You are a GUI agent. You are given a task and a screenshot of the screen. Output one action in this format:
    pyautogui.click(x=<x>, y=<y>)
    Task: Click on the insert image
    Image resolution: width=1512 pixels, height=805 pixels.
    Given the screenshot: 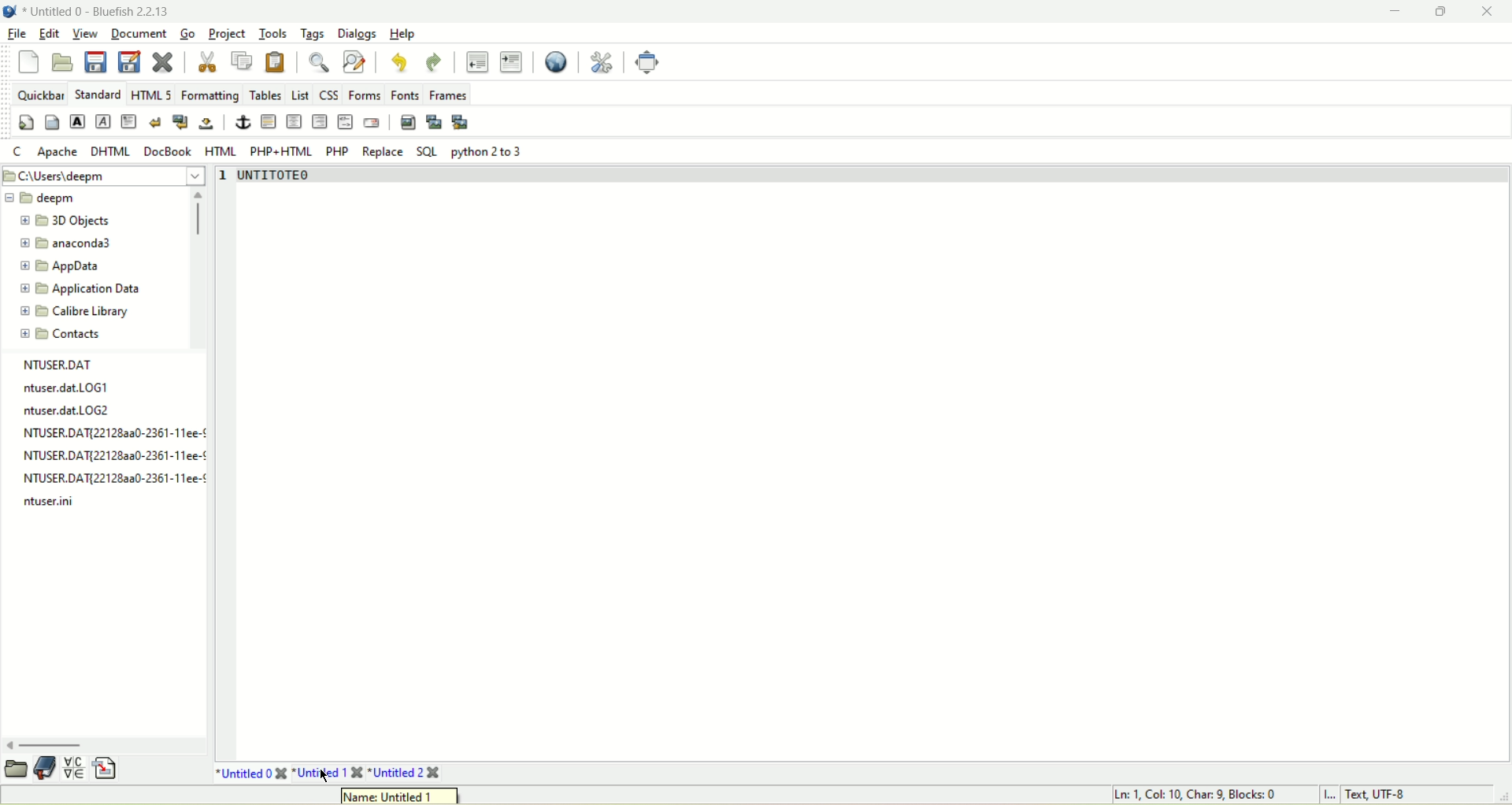 What is the action you would take?
    pyautogui.click(x=406, y=123)
    